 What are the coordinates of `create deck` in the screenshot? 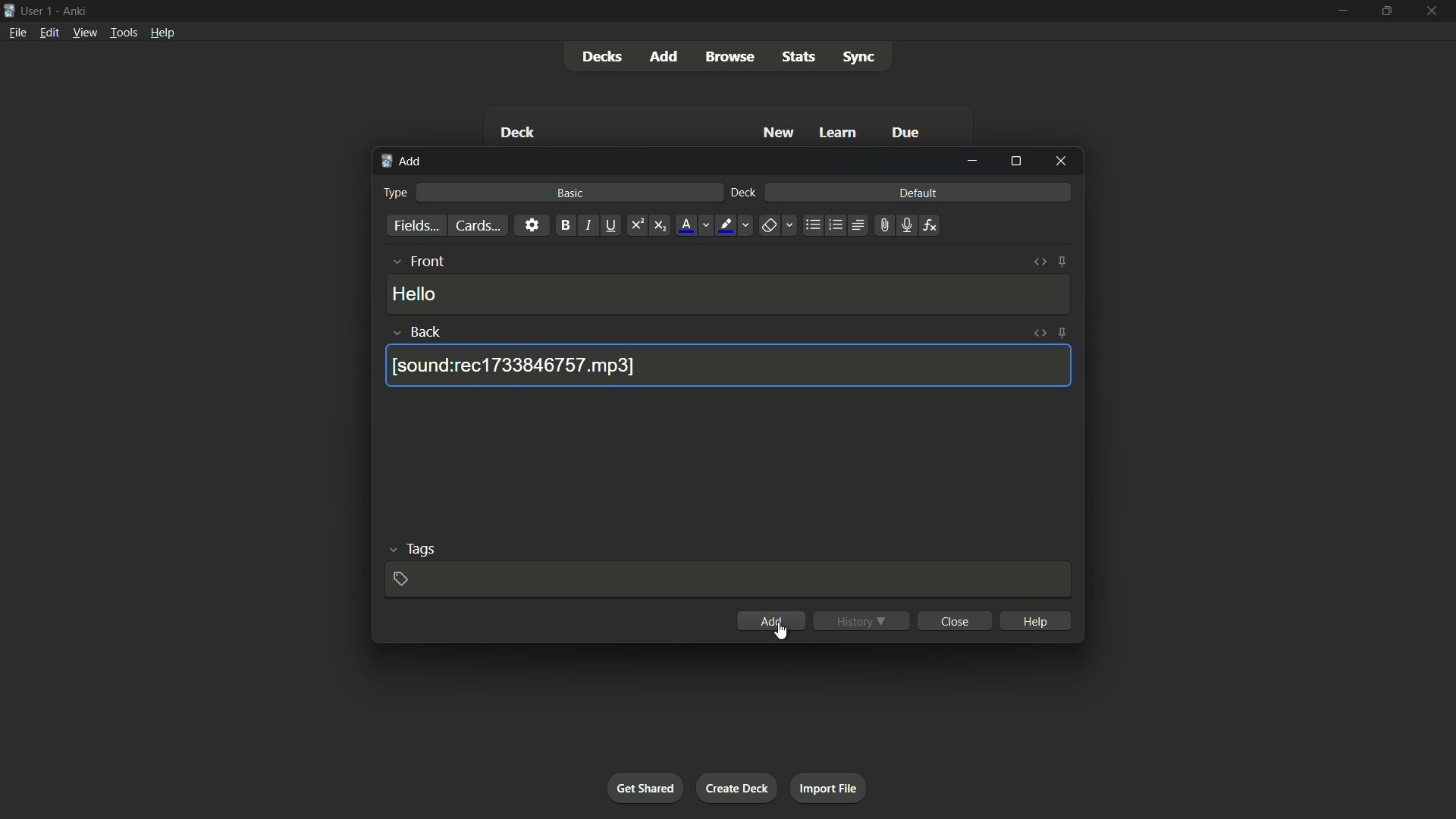 It's located at (739, 787).